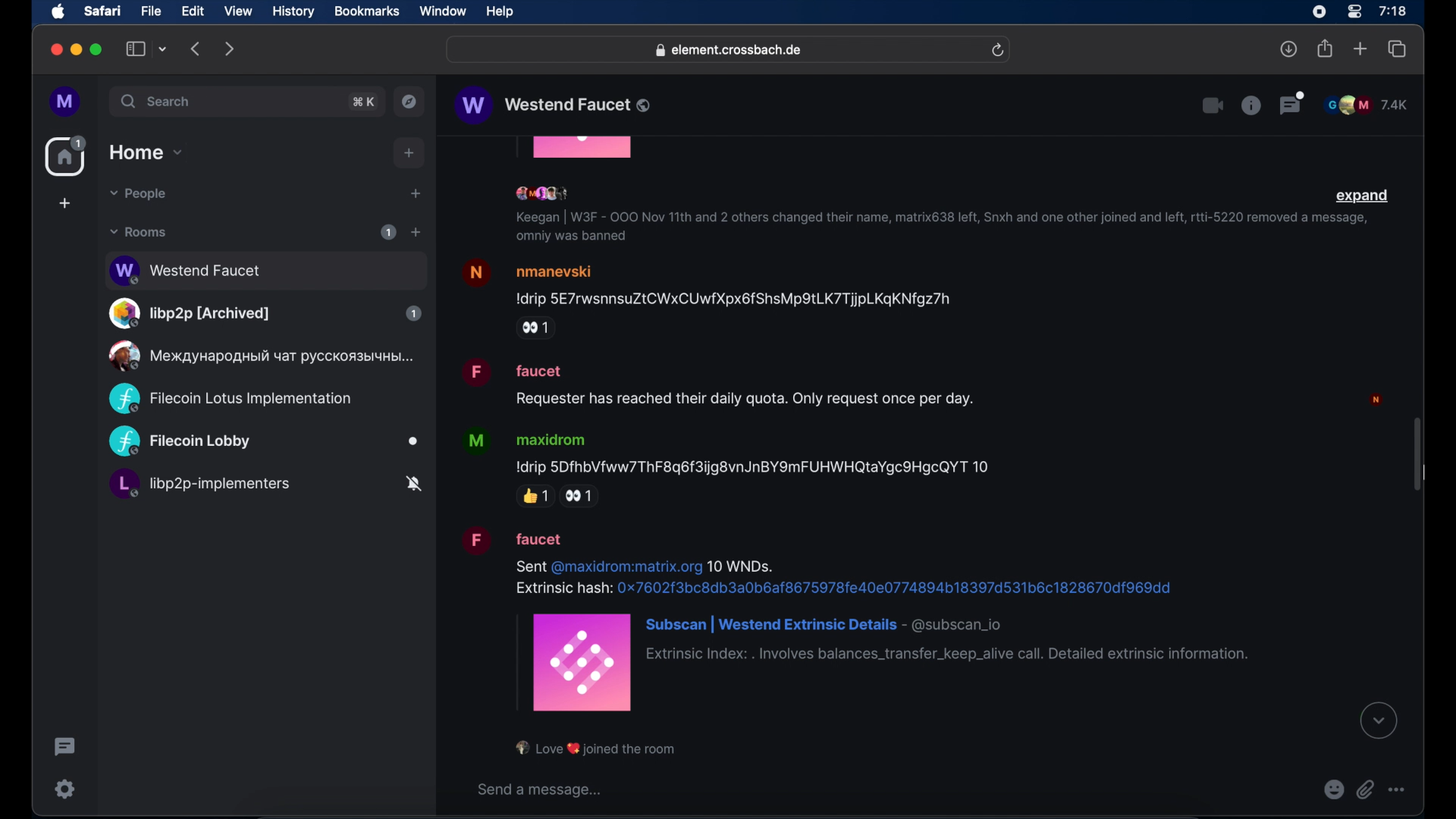 Image resolution: width=1456 pixels, height=819 pixels. I want to click on more option, so click(1398, 789).